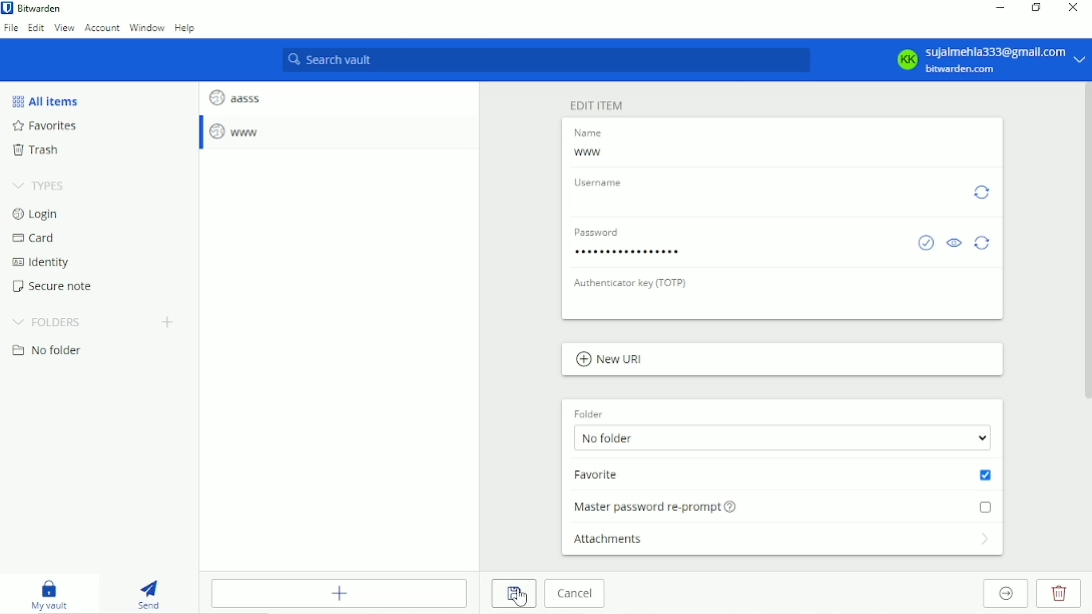 The width and height of the screenshot is (1092, 614). Describe the element at coordinates (148, 28) in the screenshot. I see `Window` at that location.